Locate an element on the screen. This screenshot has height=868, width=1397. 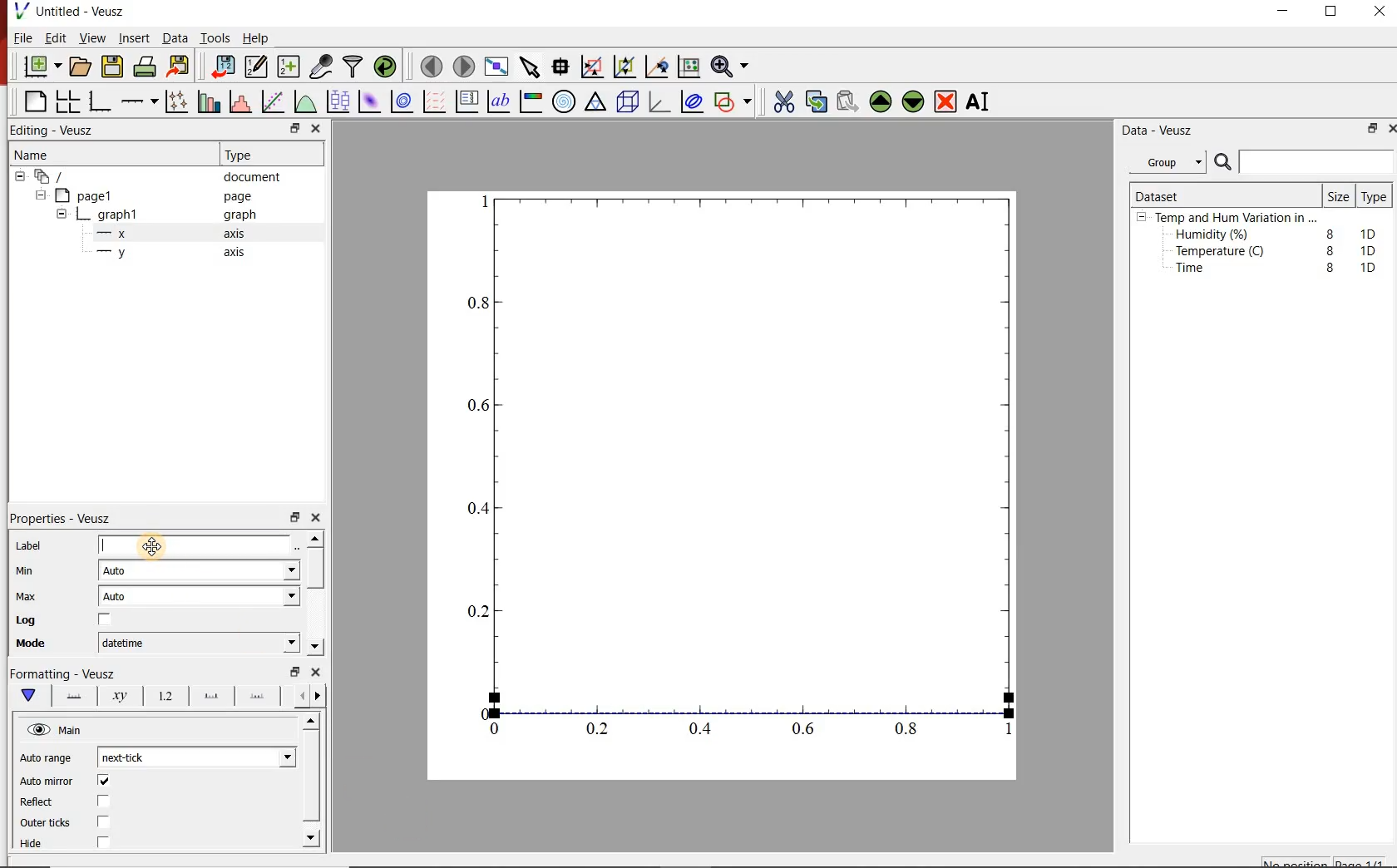
Insert is located at coordinates (131, 38).